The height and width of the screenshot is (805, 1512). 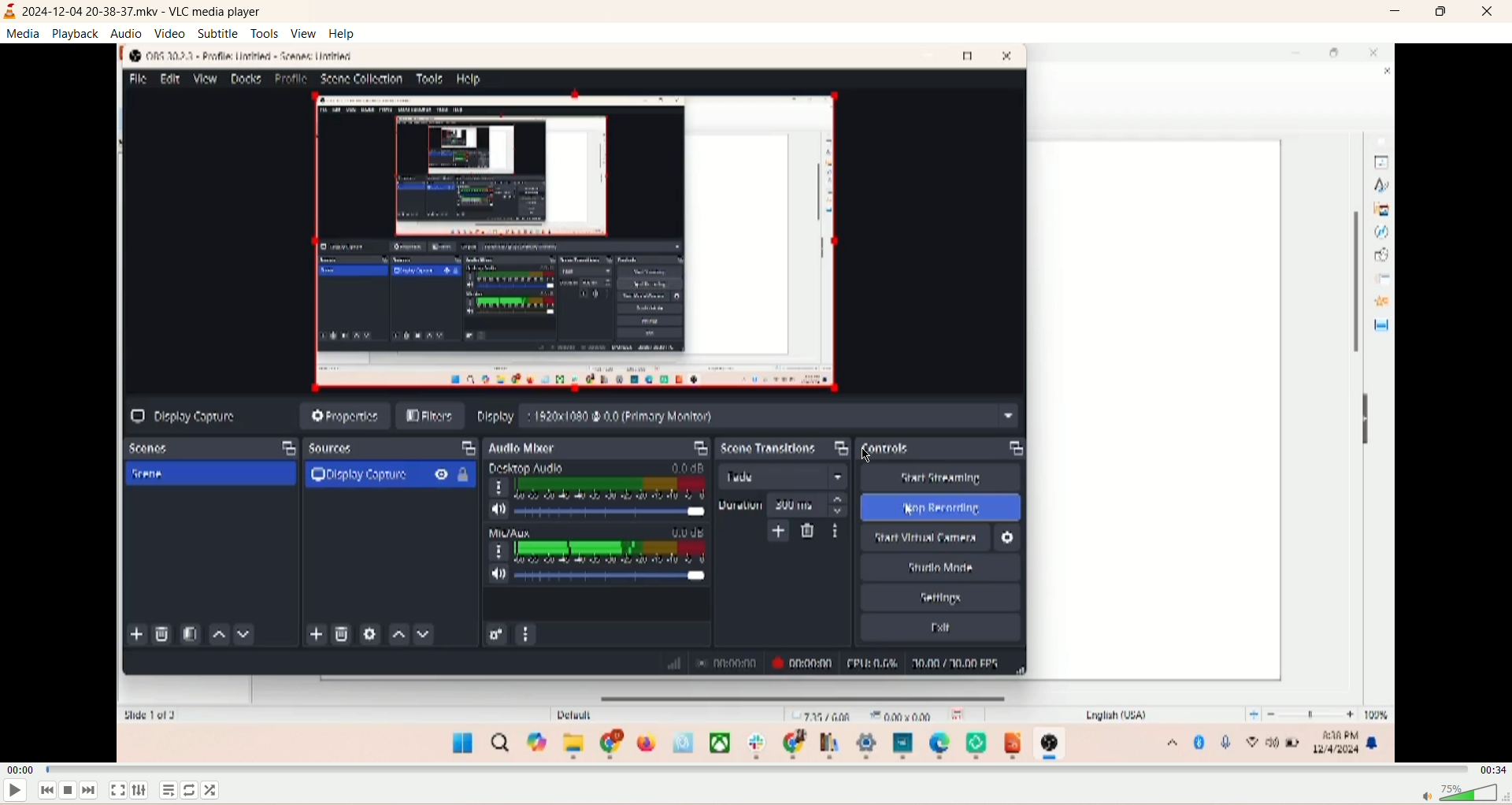 I want to click on 2024-12-23 13-38-37.mkv VLC media player, so click(x=143, y=11).